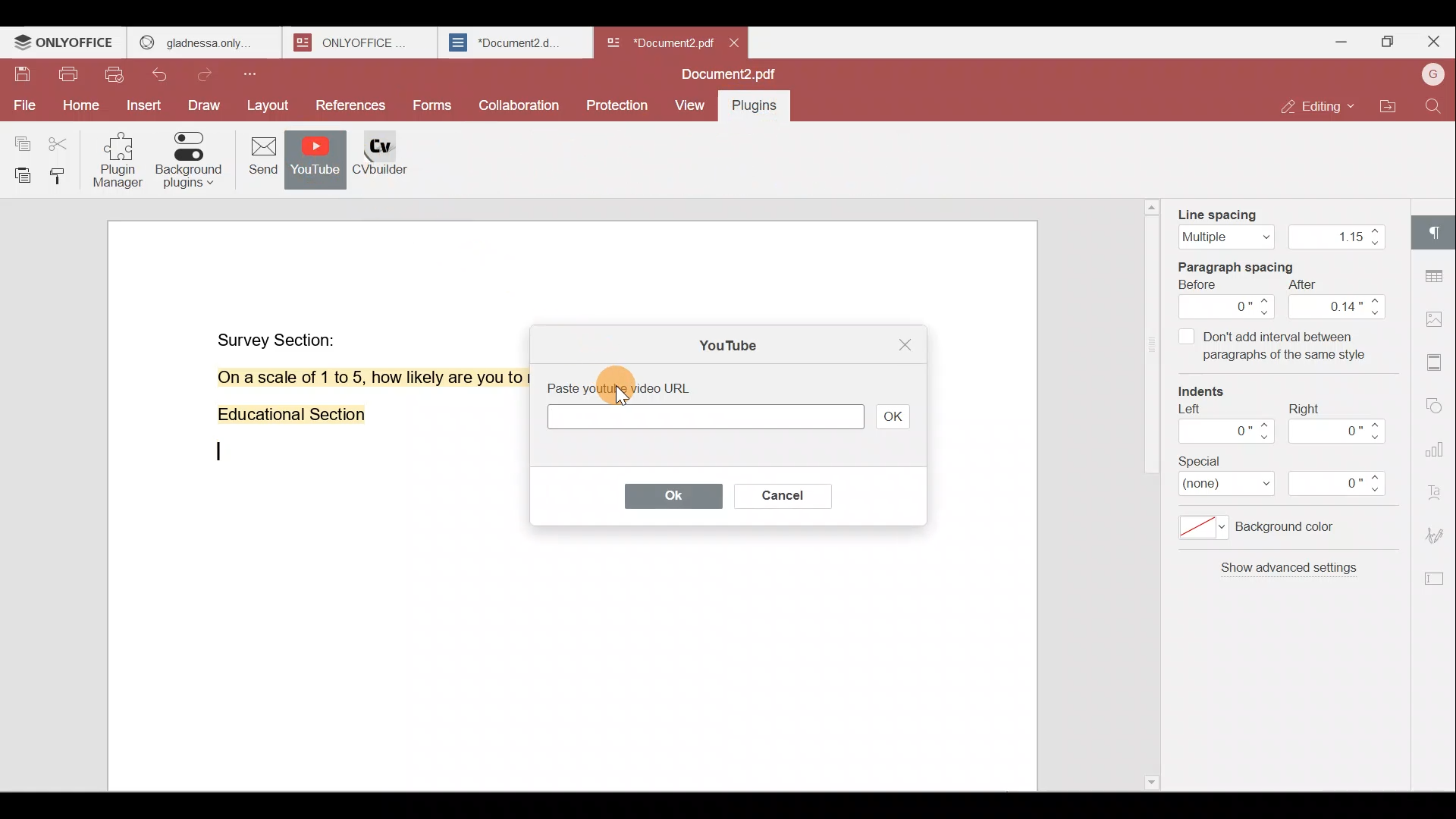  What do you see at coordinates (121, 165) in the screenshot?
I see `Plugin manager` at bounding box center [121, 165].